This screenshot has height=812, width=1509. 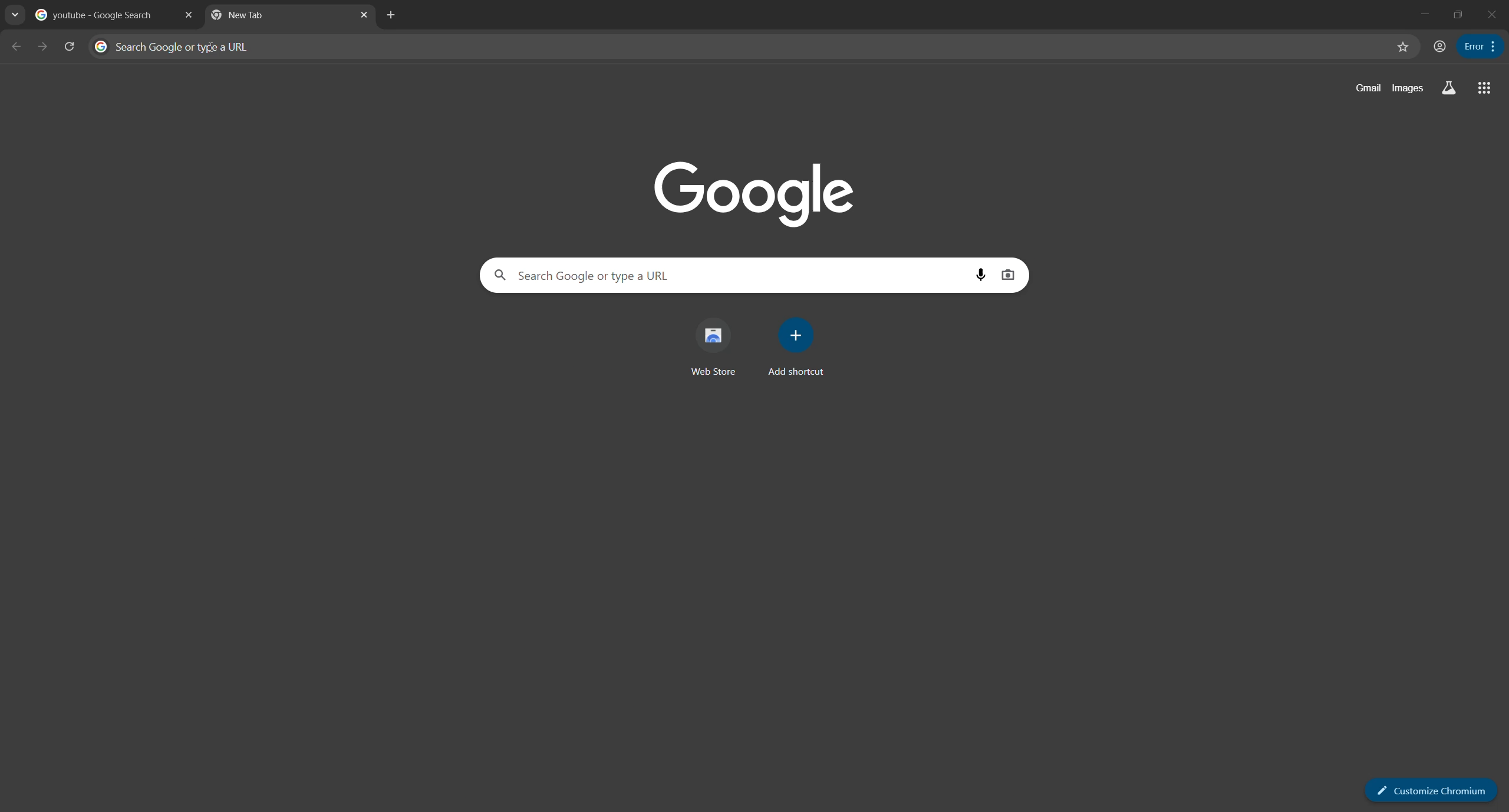 I want to click on back, so click(x=17, y=47).